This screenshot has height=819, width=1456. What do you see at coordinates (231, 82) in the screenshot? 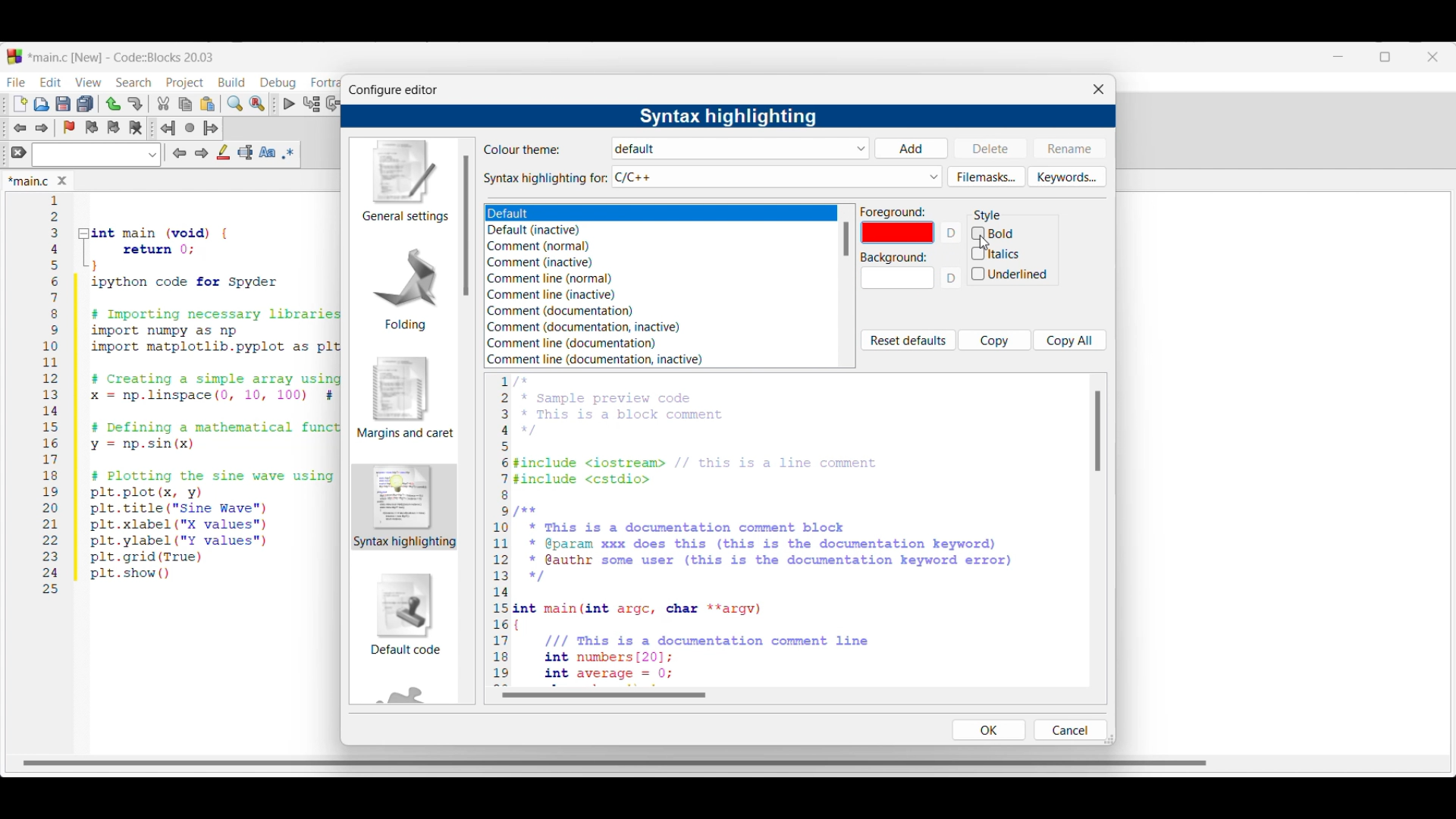
I see `Build menu` at bounding box center [231, 82].